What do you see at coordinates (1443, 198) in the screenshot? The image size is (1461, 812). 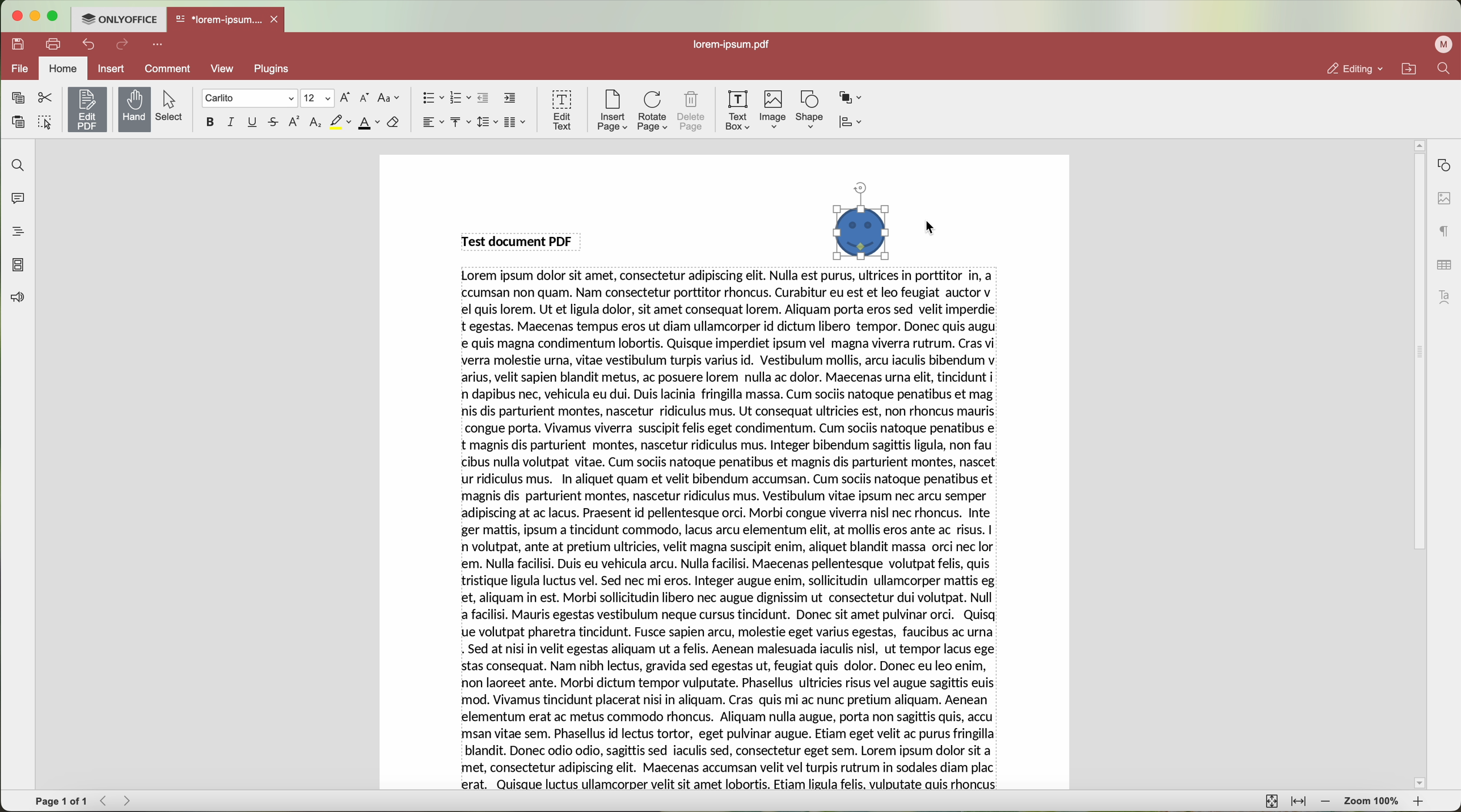 I see `image settings` at bounding box center [1443, 198].